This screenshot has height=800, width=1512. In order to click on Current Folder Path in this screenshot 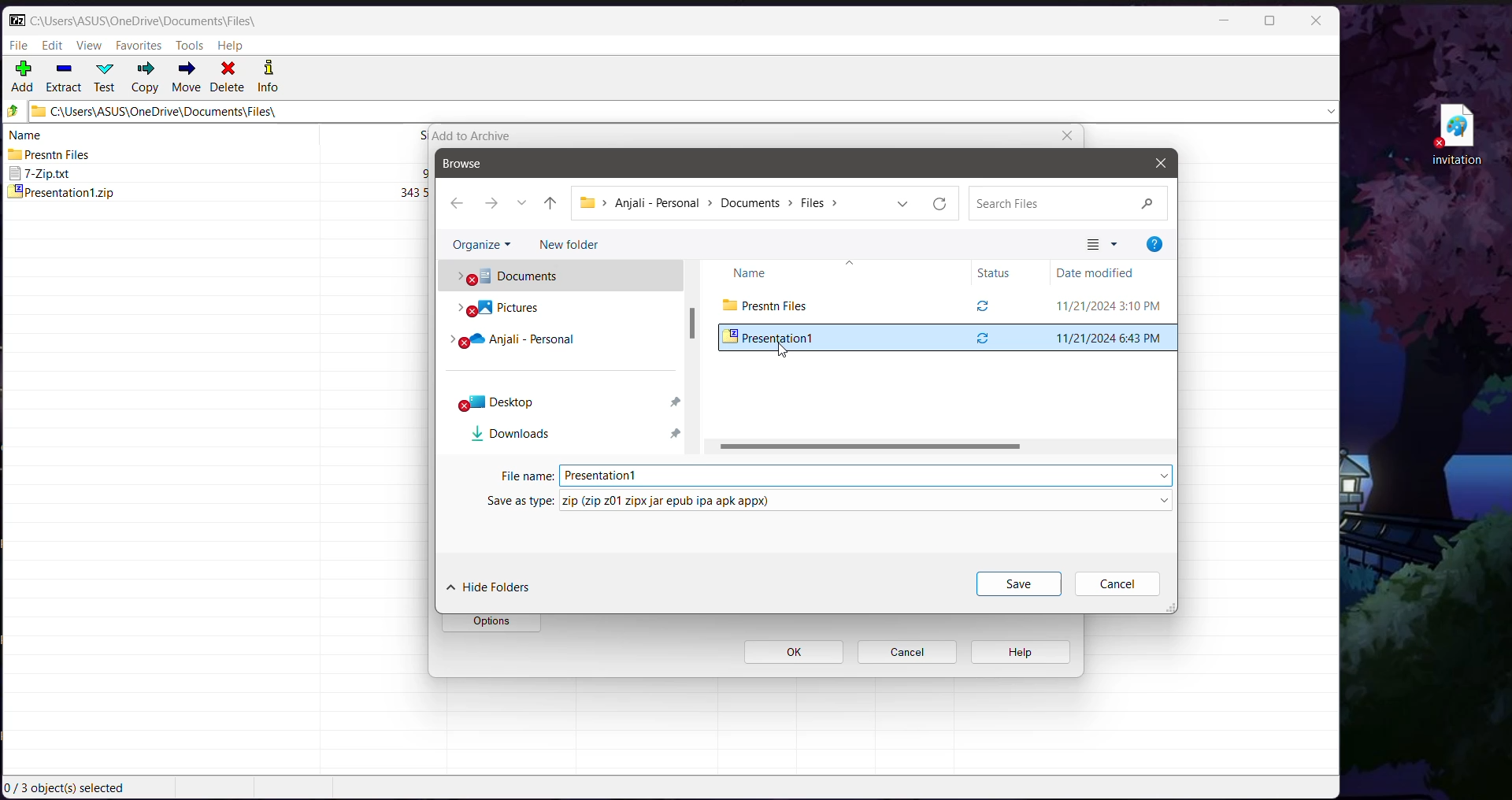, I will do `click(143, 20)`.